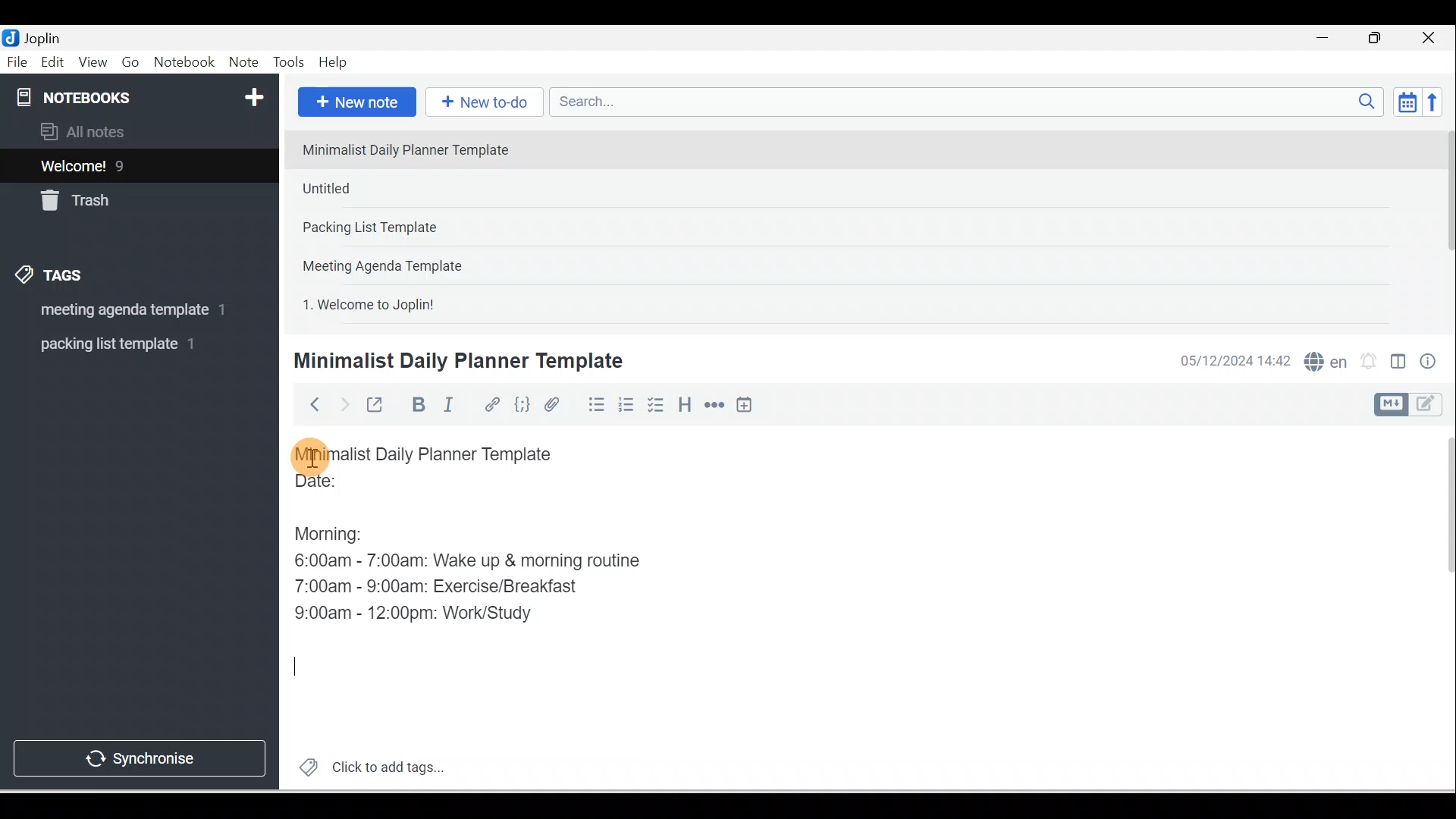 This screenshot has height=819, width=1456. Describe the element at coordinates (1429, 363) in the screenshot. I see `Note properties` at that location.